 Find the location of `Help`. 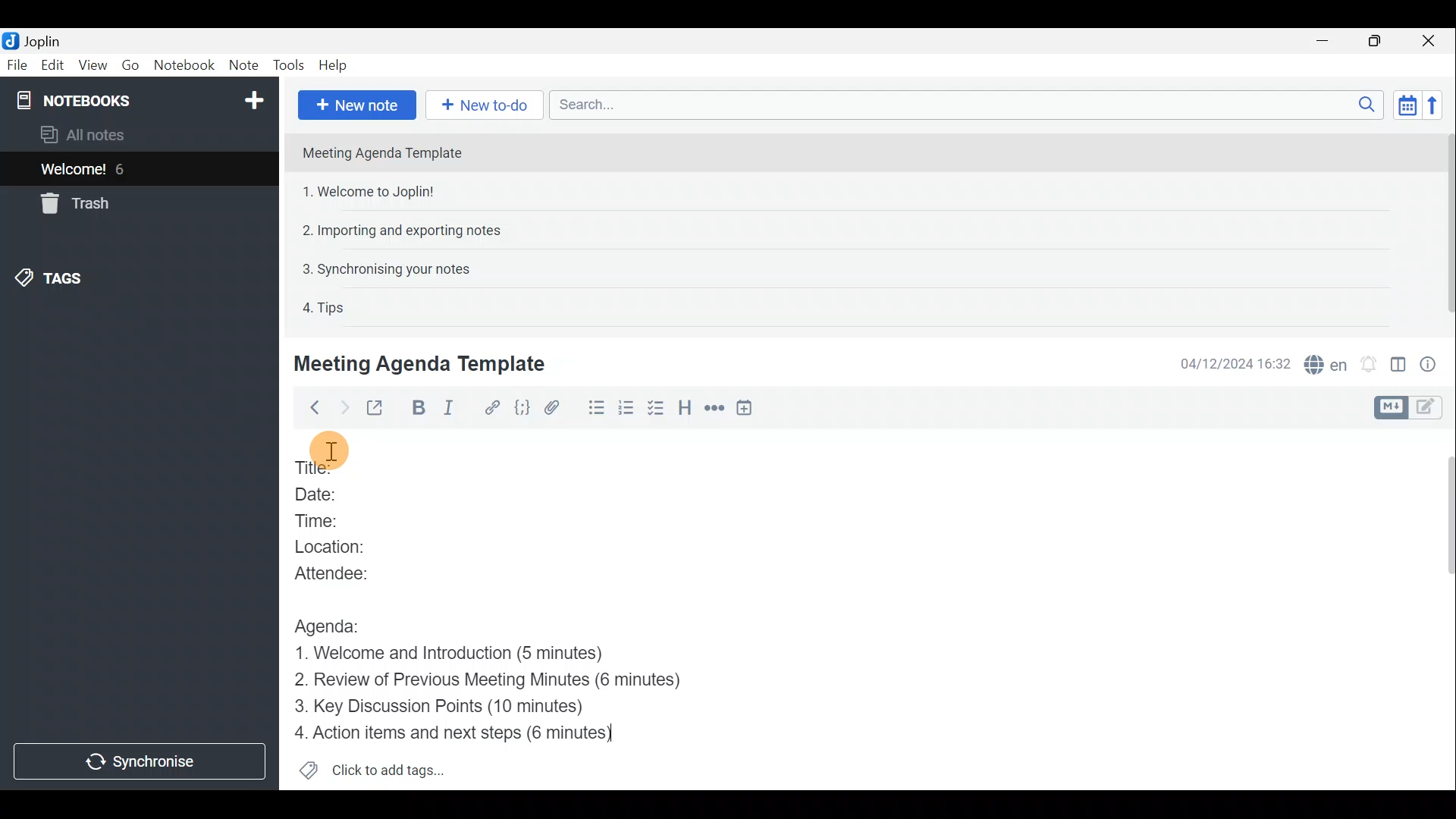

Help is located at coordinates (336, 65).